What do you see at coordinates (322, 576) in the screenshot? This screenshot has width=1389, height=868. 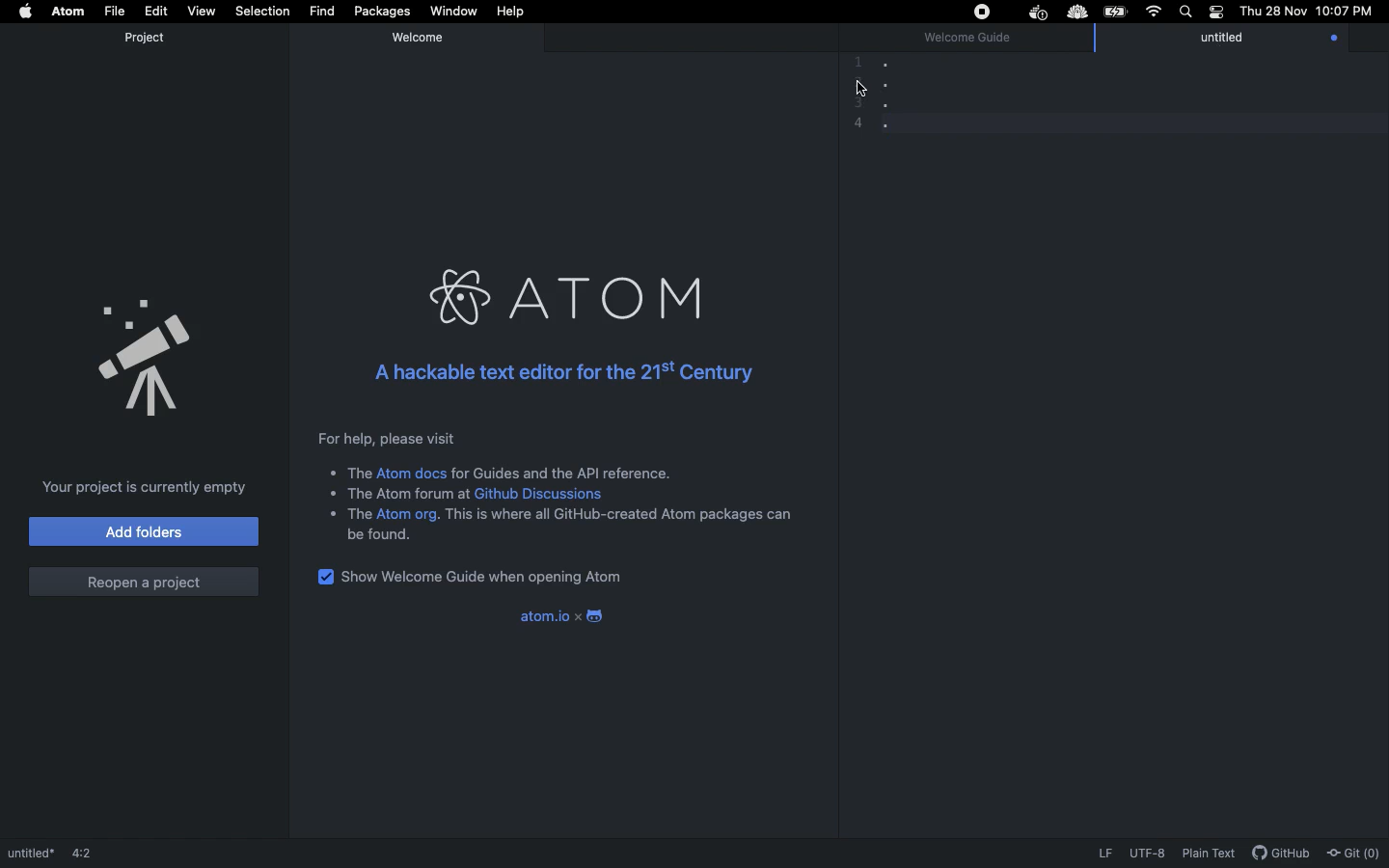 I see `checkbox` at bounding box center [322, 576].